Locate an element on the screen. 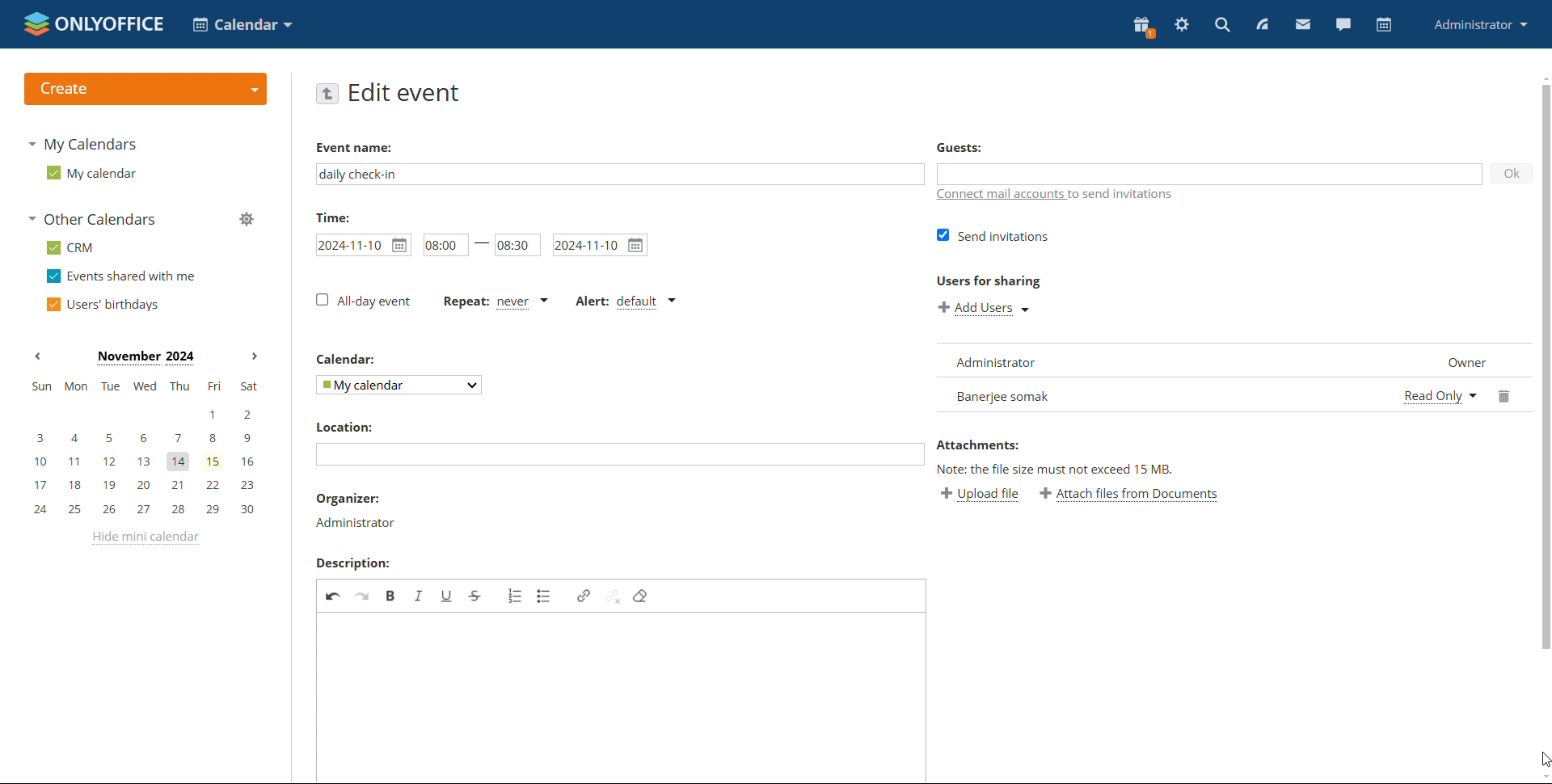 The height and width of the screenshot is (784, 1552). go back is located at coordinates (327, 93).